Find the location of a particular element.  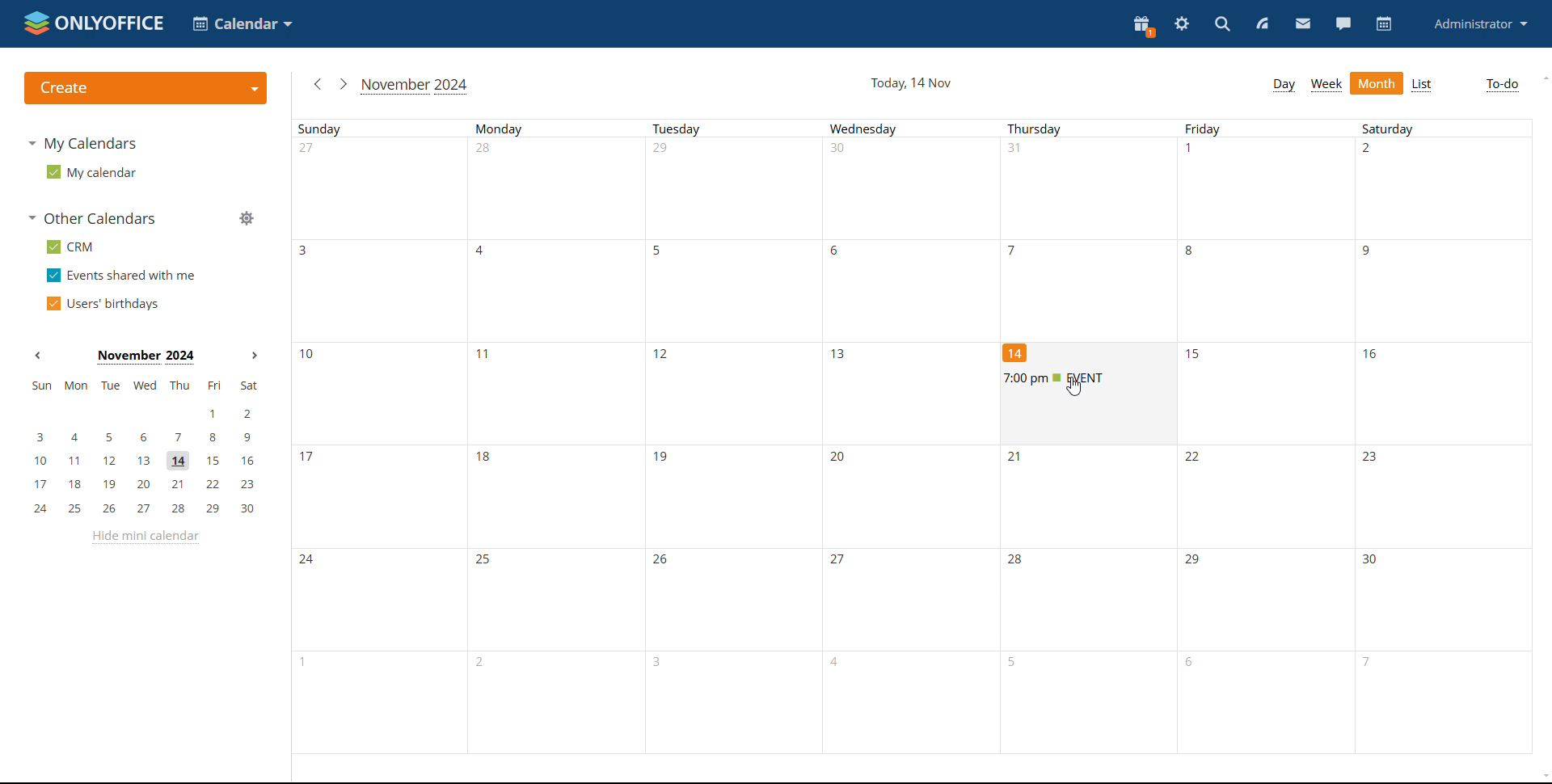

week view is located at coordinates (1326, 84).